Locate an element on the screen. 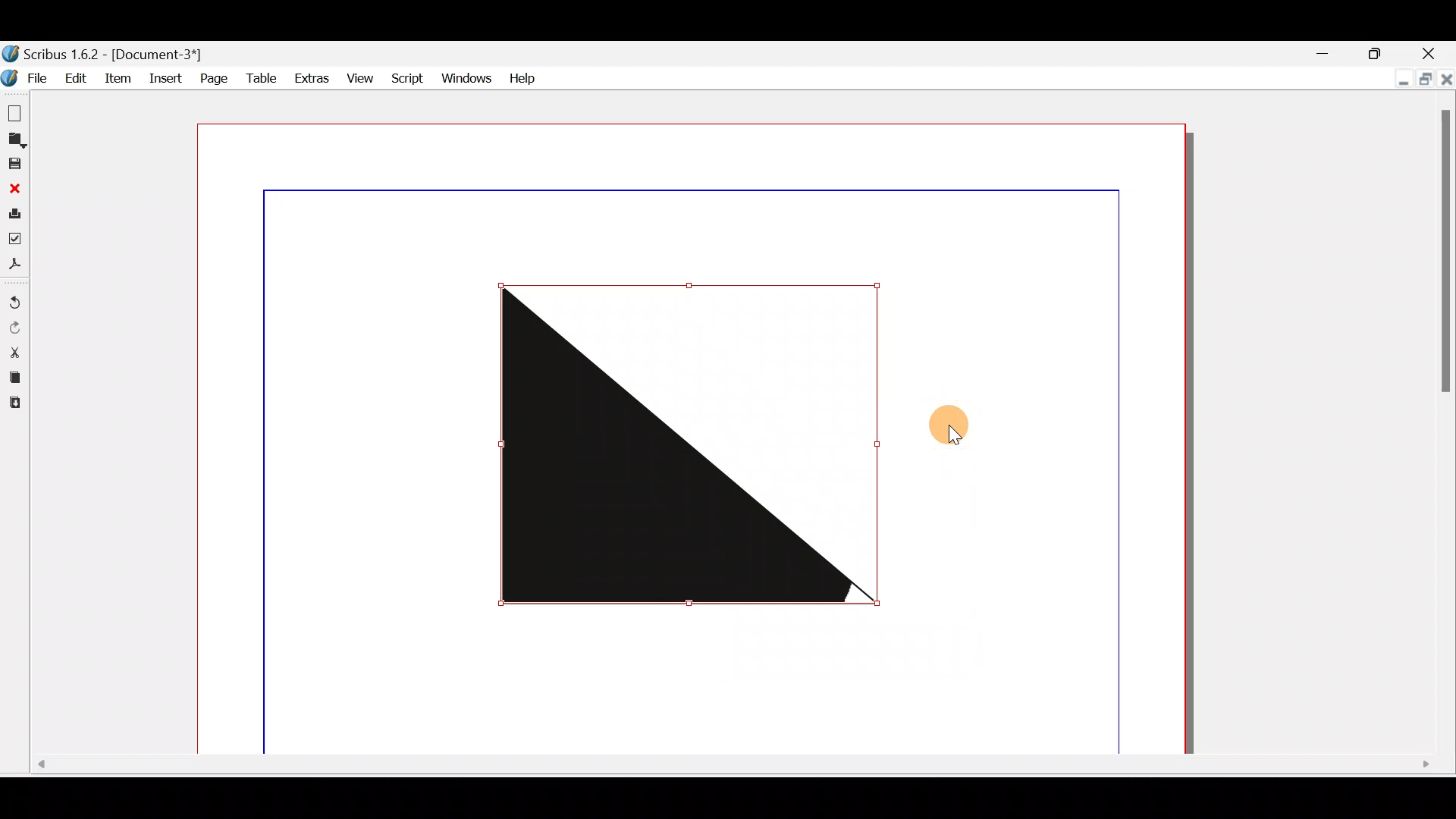 The height and width of the screenshot is (819, 1456). View is located at coordinates (358, 75).